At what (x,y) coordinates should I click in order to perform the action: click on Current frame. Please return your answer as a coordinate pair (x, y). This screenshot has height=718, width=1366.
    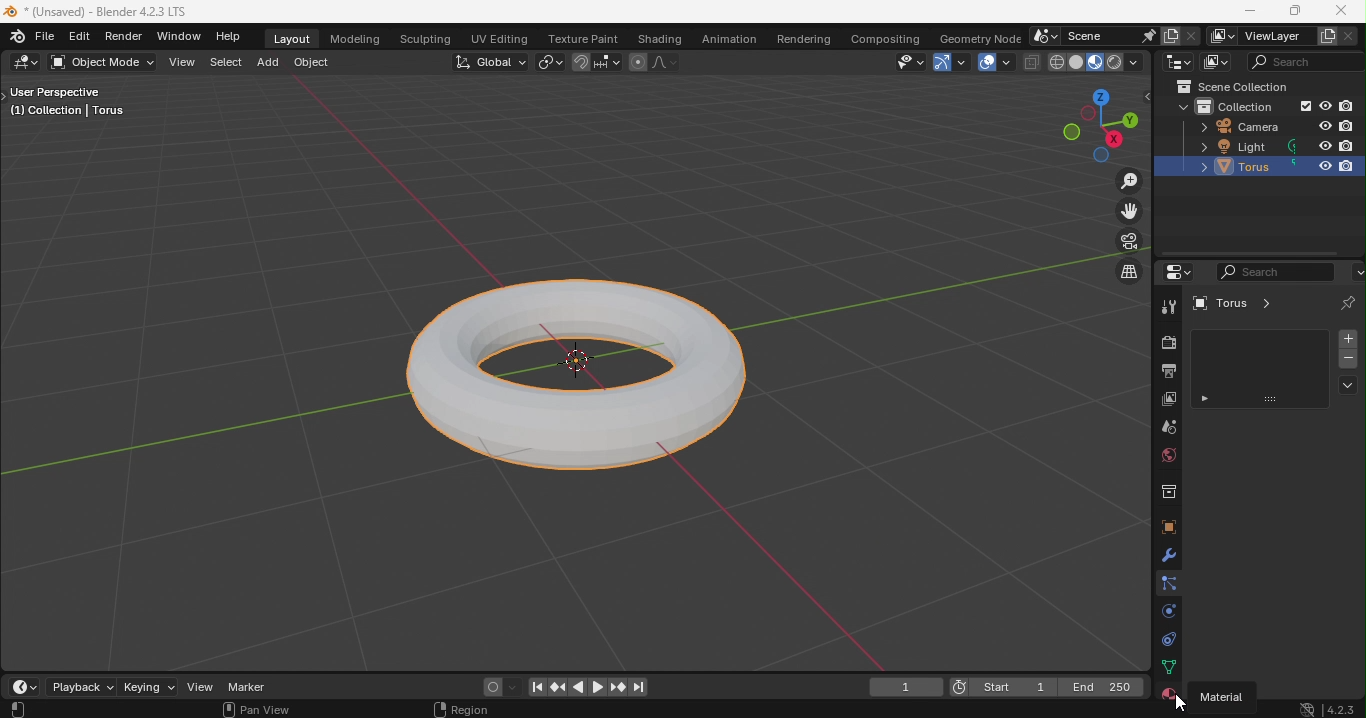
    Looking at the image, I should click on (961, 688).